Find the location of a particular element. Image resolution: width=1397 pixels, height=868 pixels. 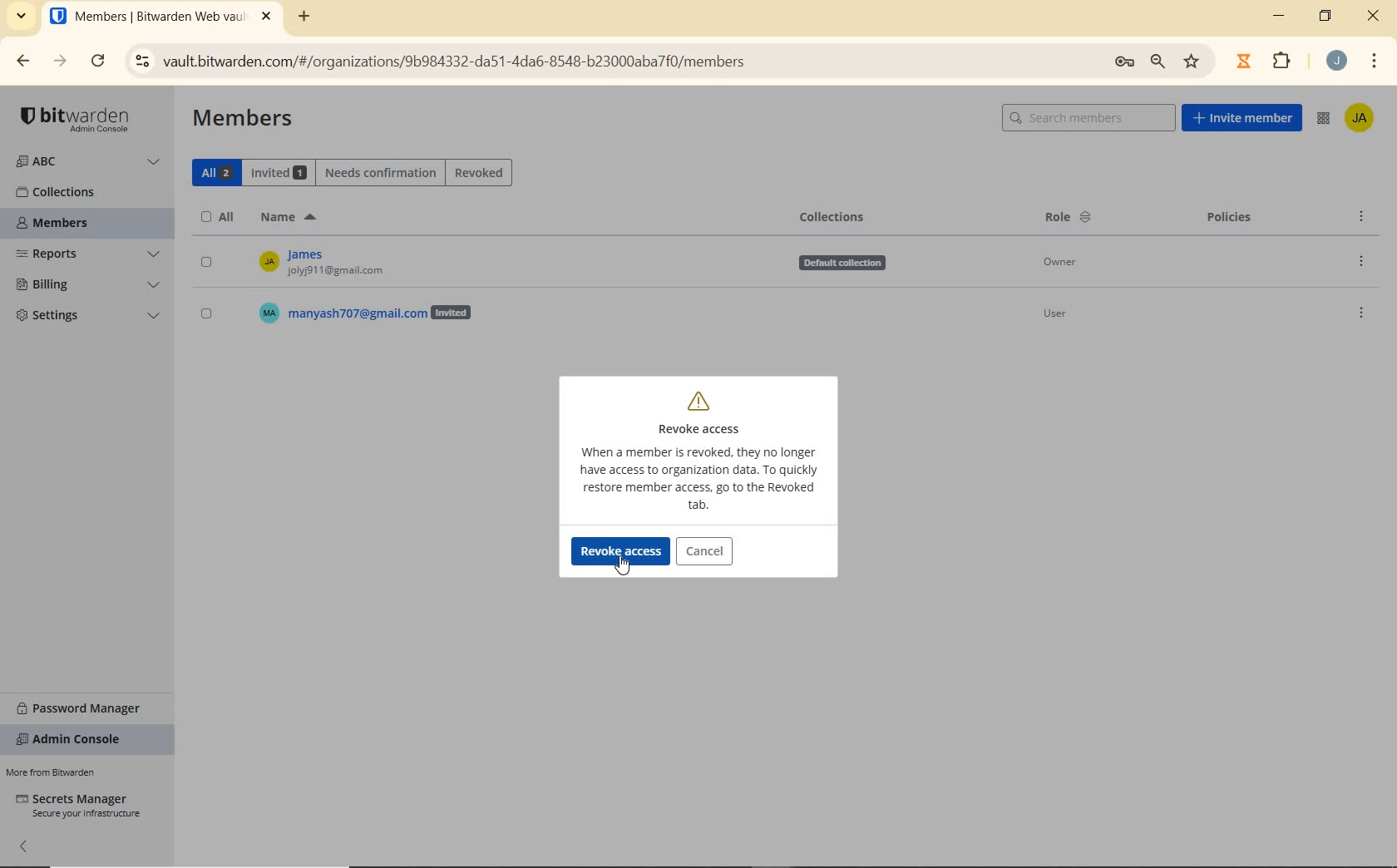

INVITE MEMBER is located at coordinates (1243, 119).